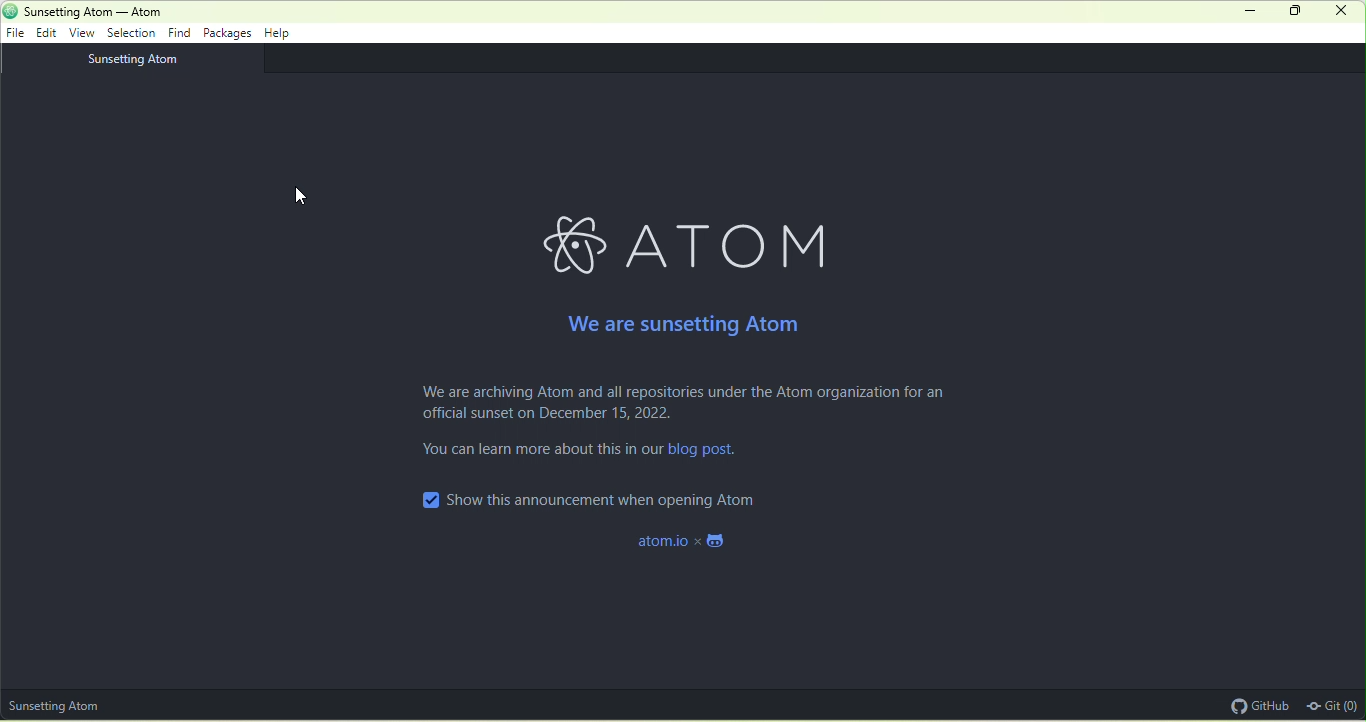 The image size is (1366, 722). I want to click on packages, so click(228, 35).